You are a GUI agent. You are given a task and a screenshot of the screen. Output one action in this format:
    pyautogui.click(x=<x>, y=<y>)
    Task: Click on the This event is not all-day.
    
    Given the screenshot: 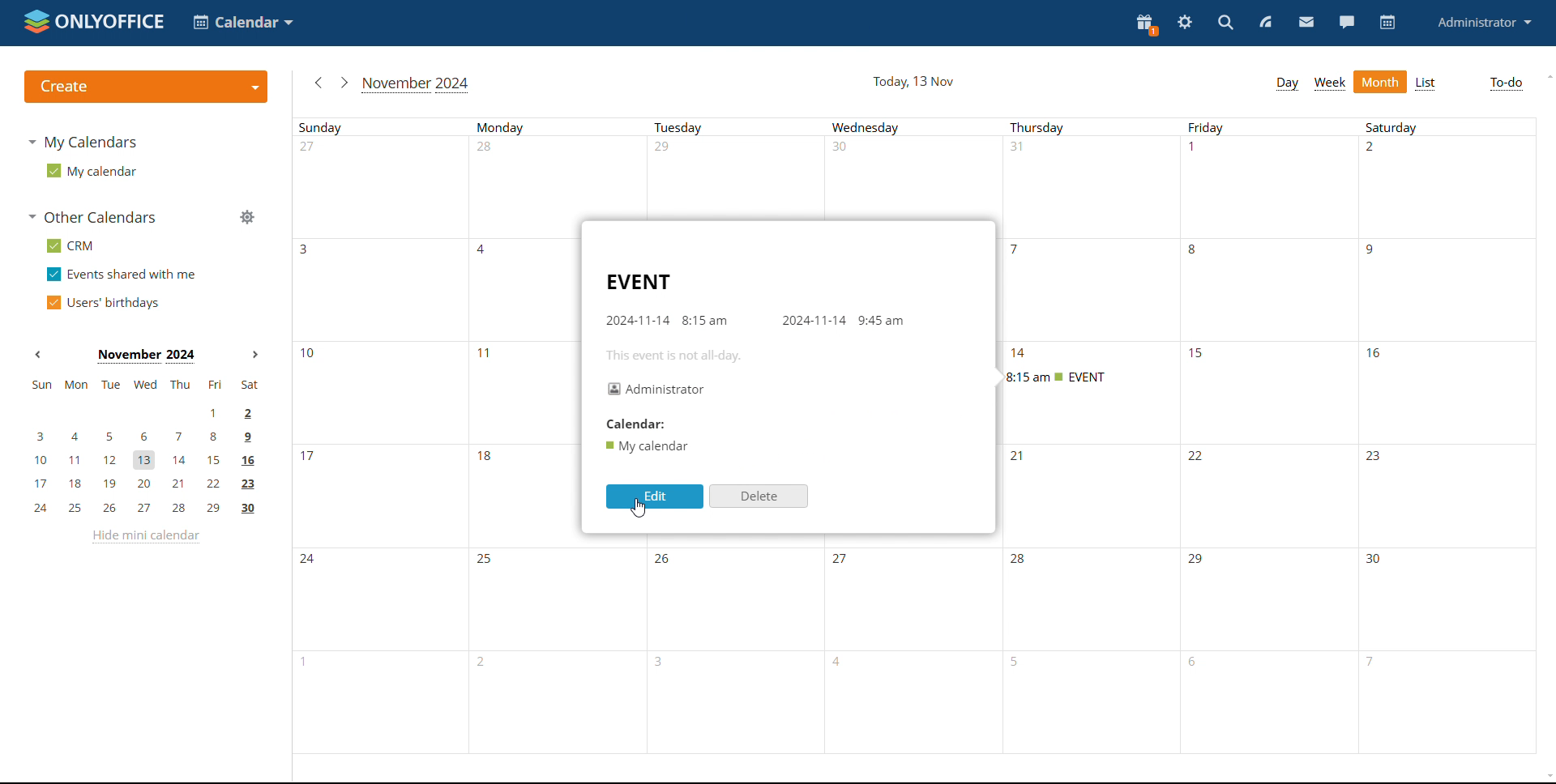 What is the action you would take?
    pyautogui.click(x=695, y=356)
    